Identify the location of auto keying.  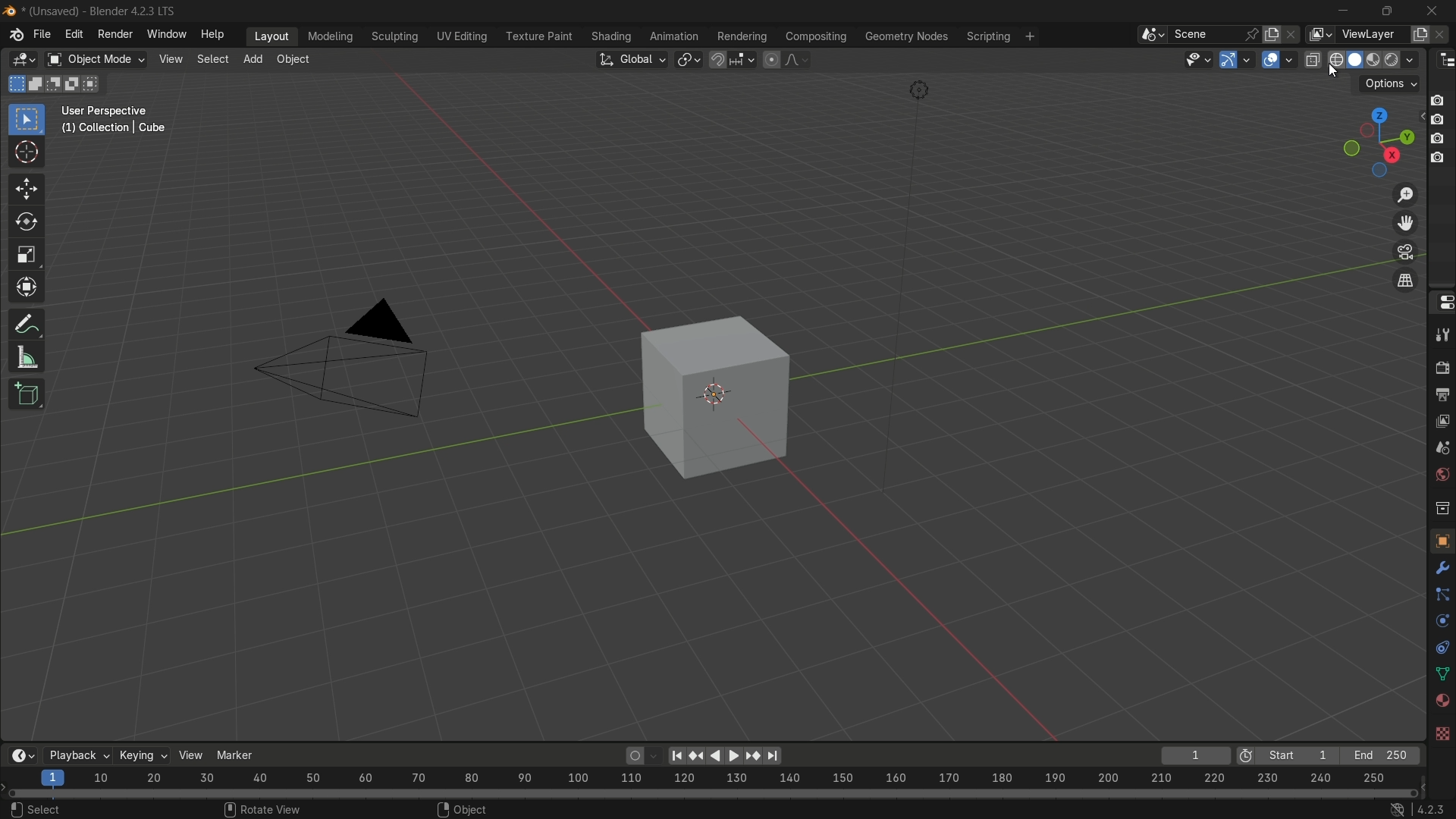
(635, 755).